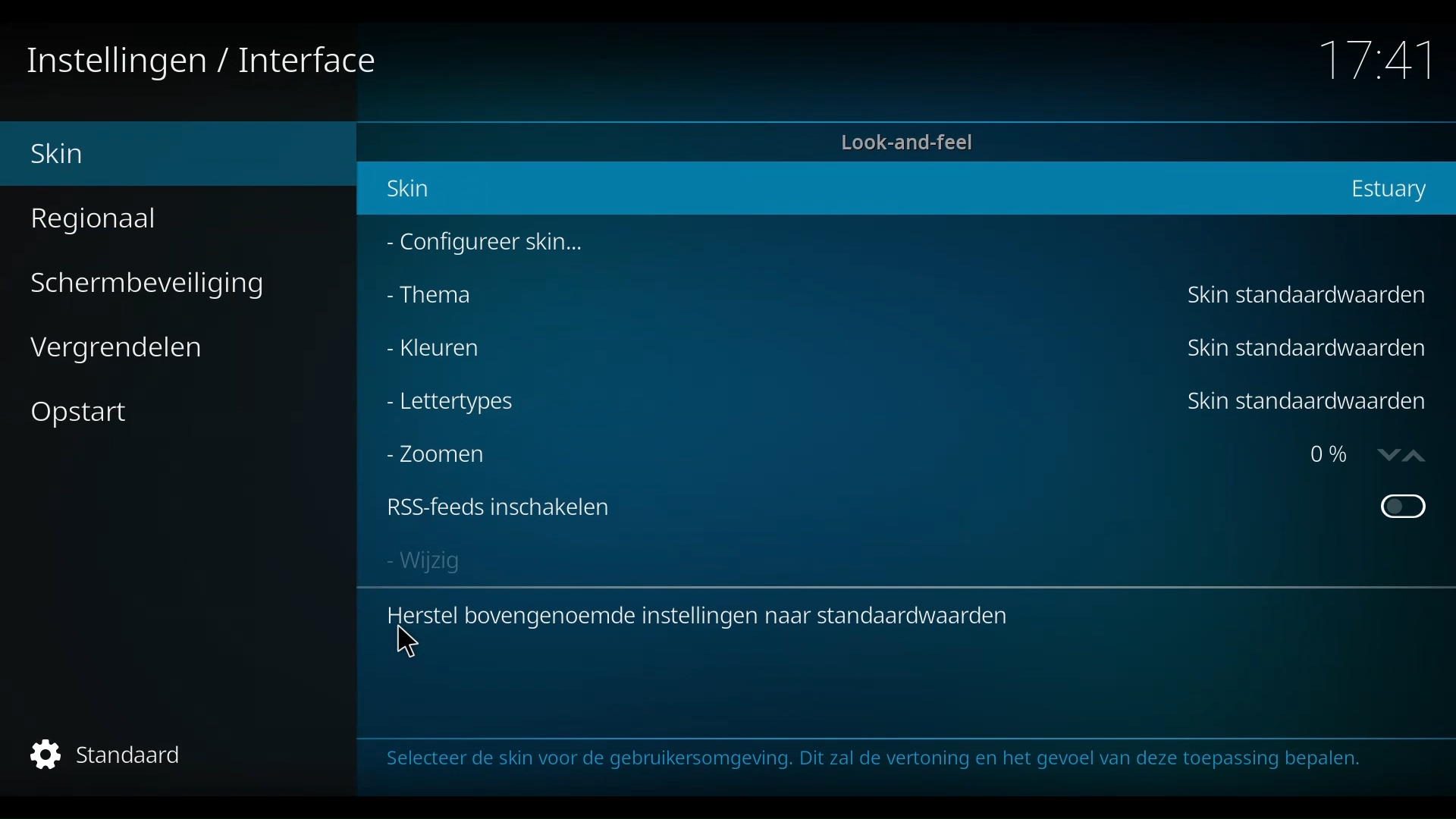  I want to click on Skin standaardwaarden, so click(1308, 295).